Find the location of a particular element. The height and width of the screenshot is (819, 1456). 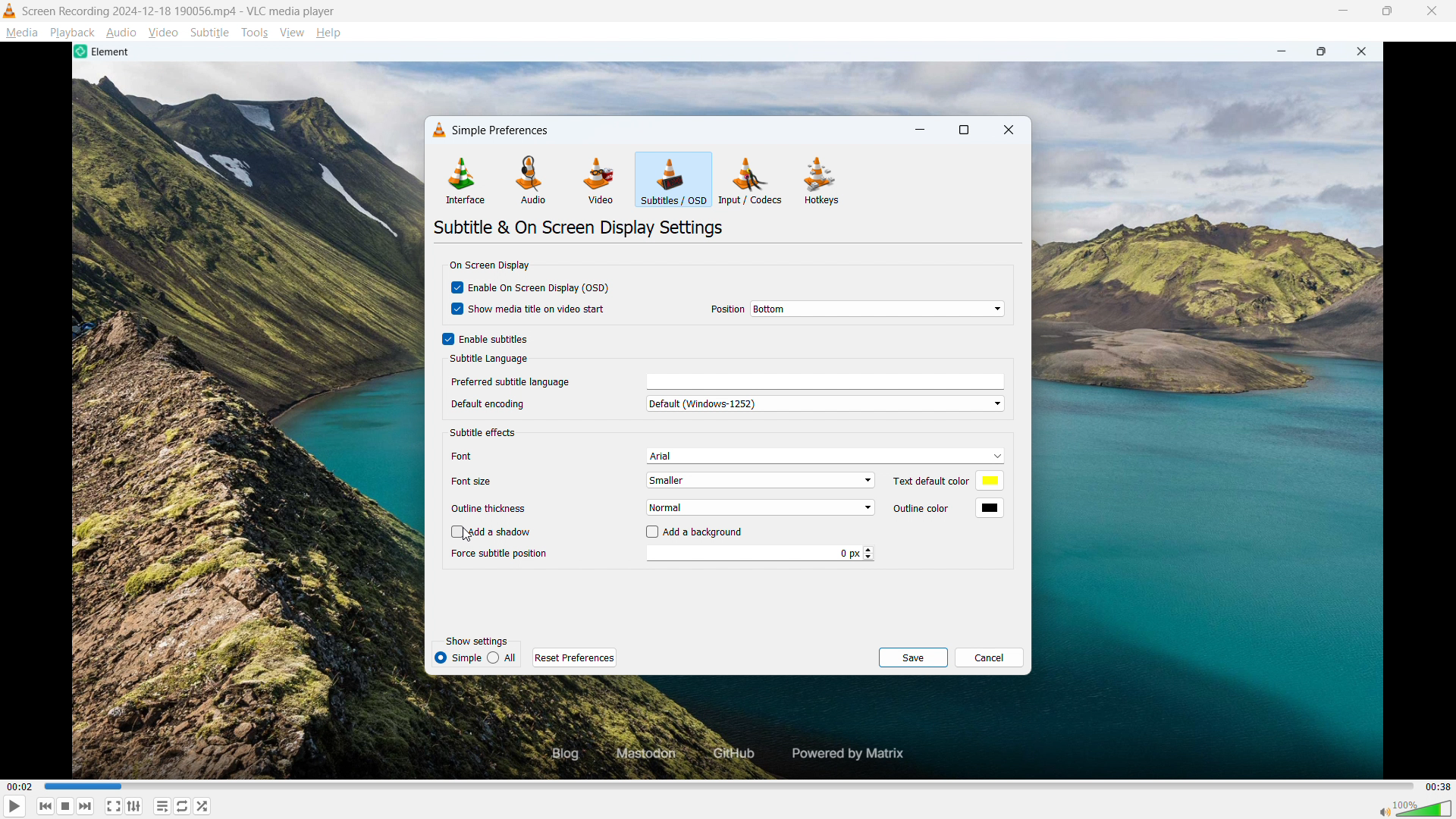

Stop playing  is located at coordinates (65, 806).